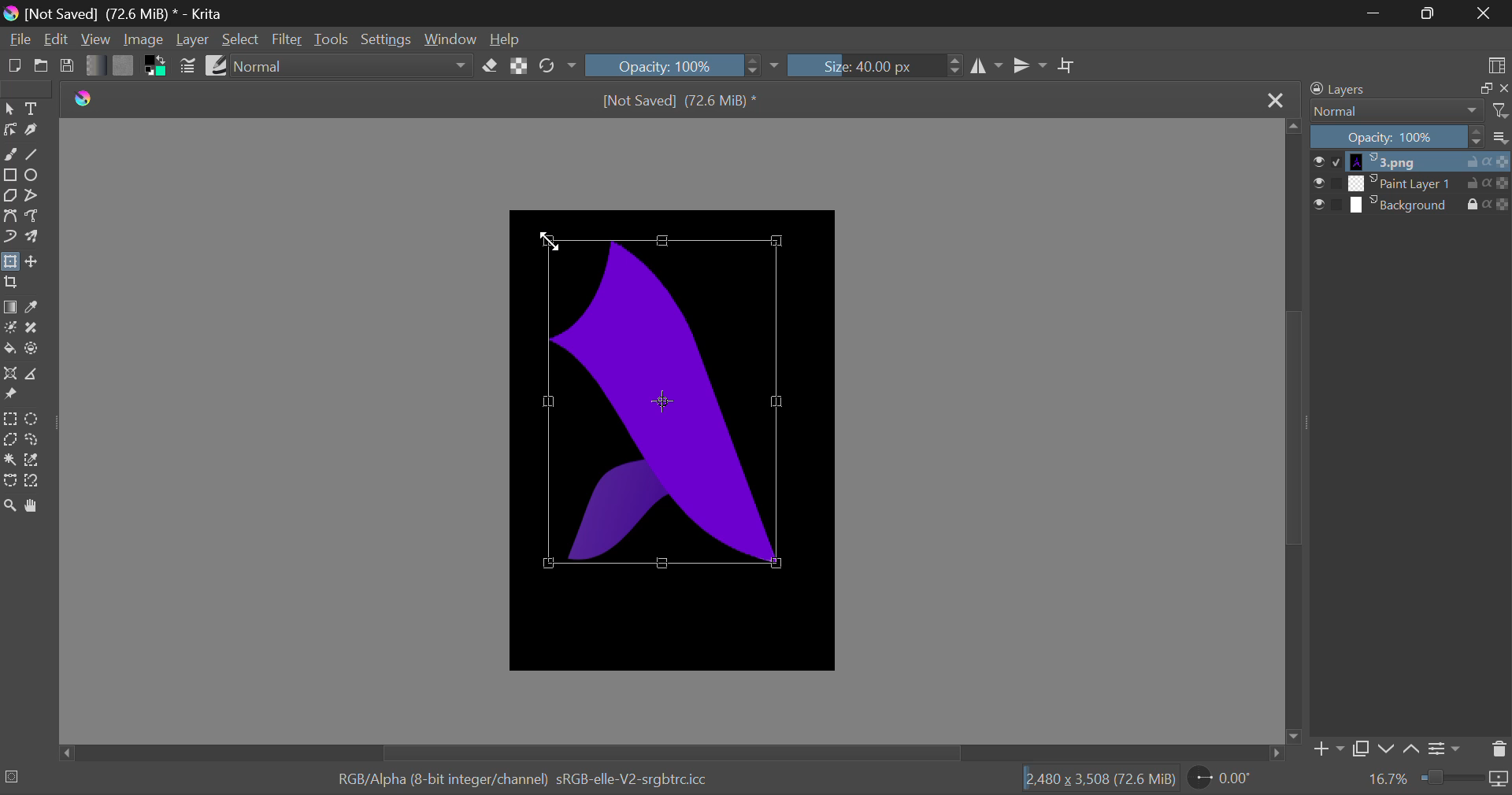 The height and width of the screenshot is (795, 1512). Describe the element at coordinates (1489, 183) in the screenshot. I see `actions` at that location.